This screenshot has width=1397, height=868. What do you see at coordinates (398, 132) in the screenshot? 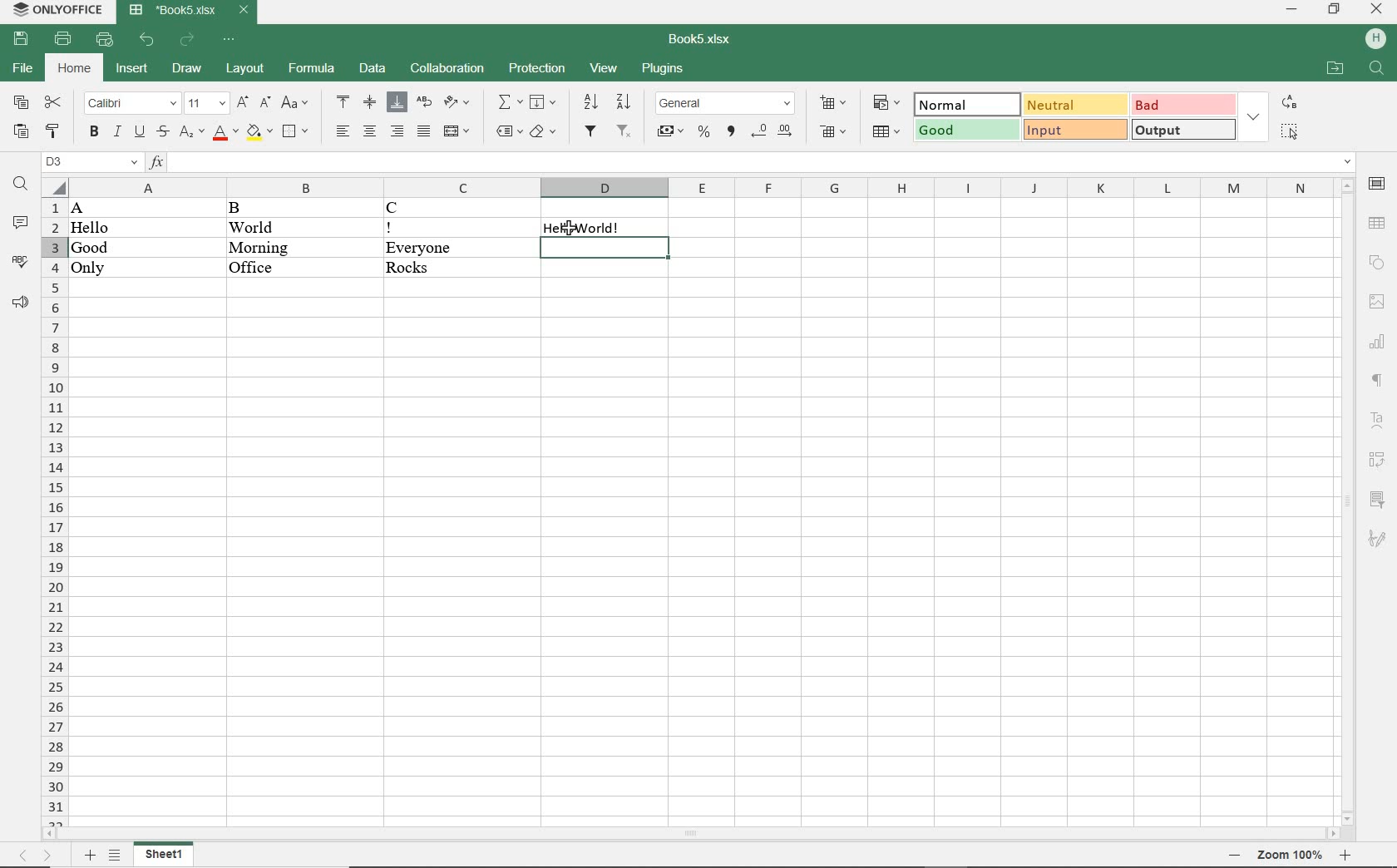
I see `ALIGN RIGHT` at bounding box center [398, 132].